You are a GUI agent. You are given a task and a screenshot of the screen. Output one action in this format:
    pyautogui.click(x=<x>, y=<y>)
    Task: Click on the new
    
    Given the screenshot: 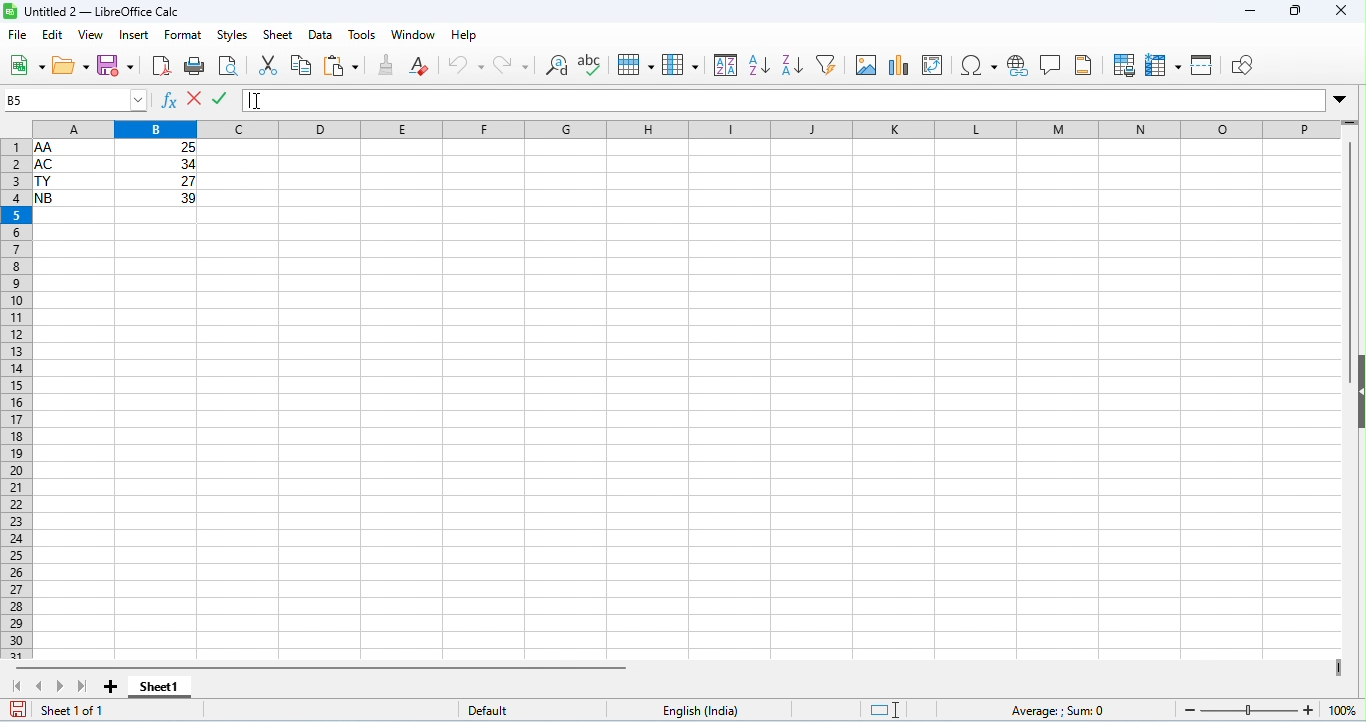 What is the action you would take?
    pyautogui.click(x=27, y=67)
    